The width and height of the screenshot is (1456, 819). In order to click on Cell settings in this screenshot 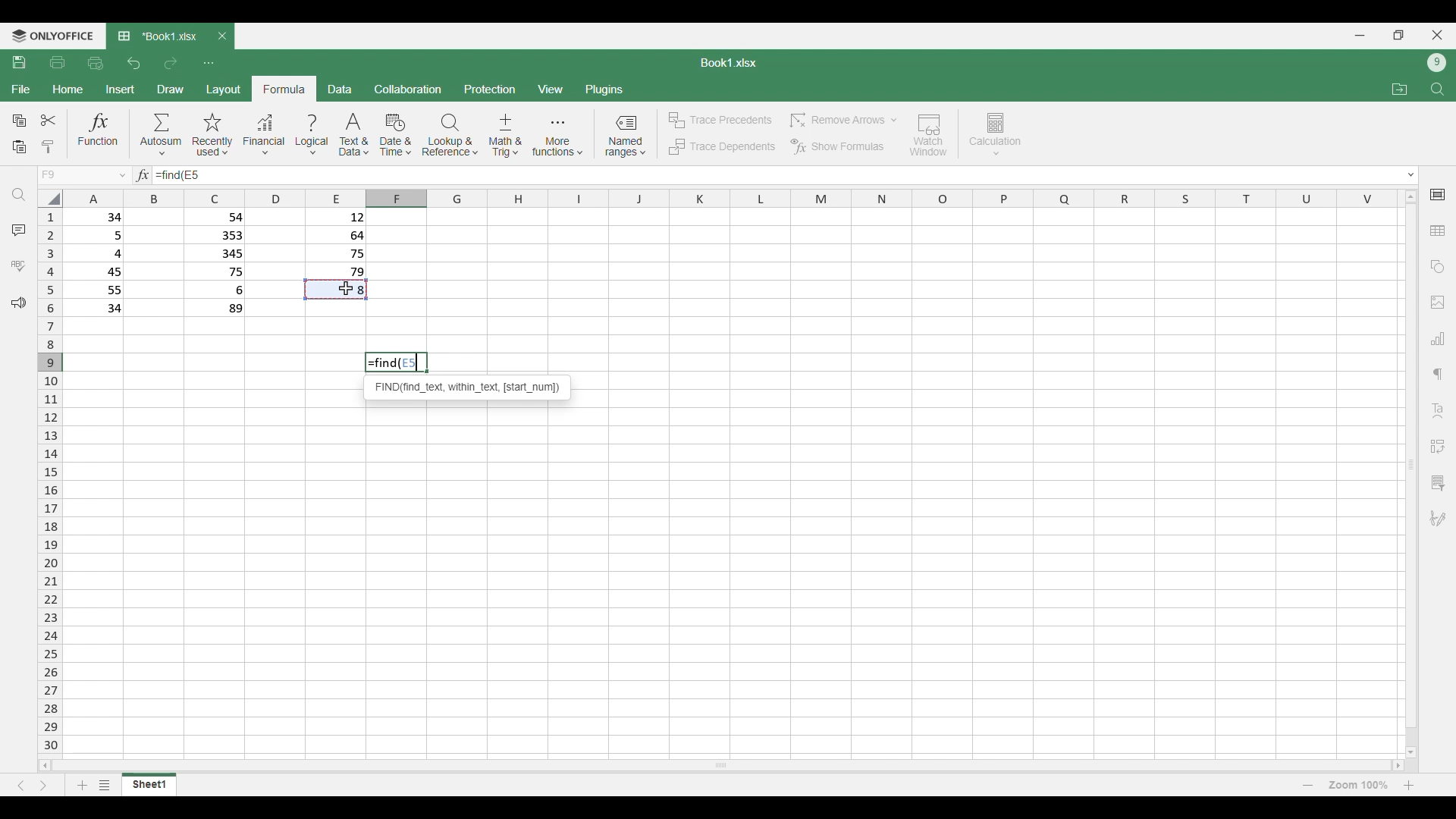, I will do `click(1438, 195)`.